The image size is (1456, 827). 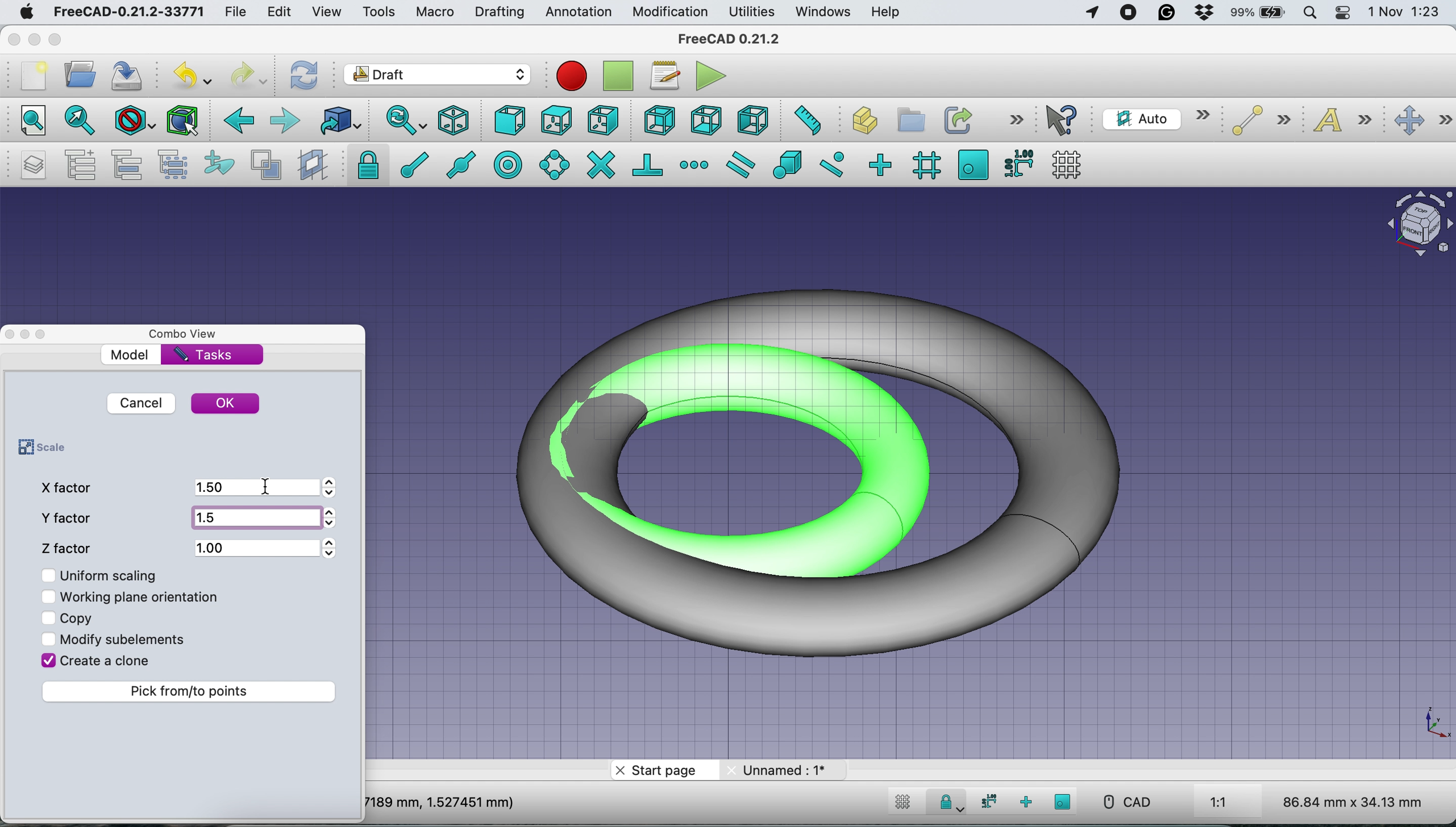 What do you see at coordinates (330, 548) in the screenshot?
I see `Arrows` at bounding box center [330, 548].